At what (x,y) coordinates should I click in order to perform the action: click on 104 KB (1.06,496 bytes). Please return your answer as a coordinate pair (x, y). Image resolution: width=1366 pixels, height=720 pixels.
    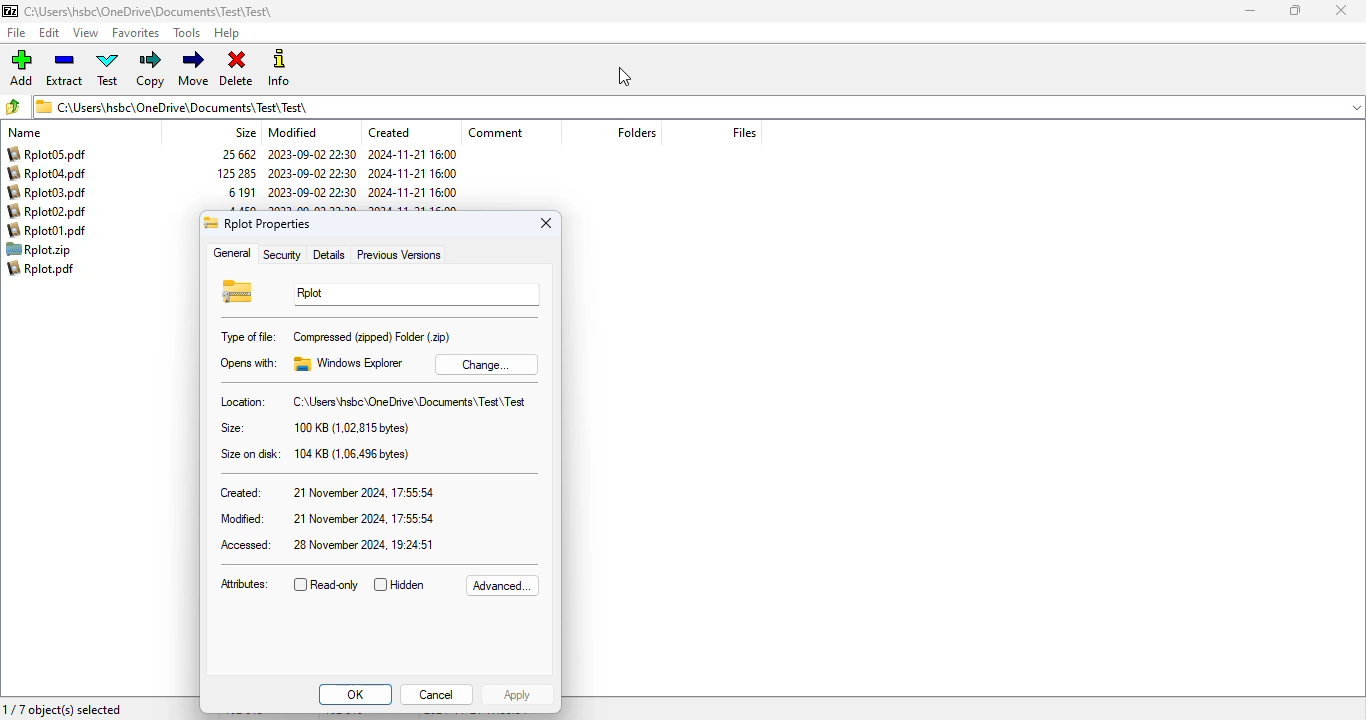
    Looking at the image, I should click on (352, 454).